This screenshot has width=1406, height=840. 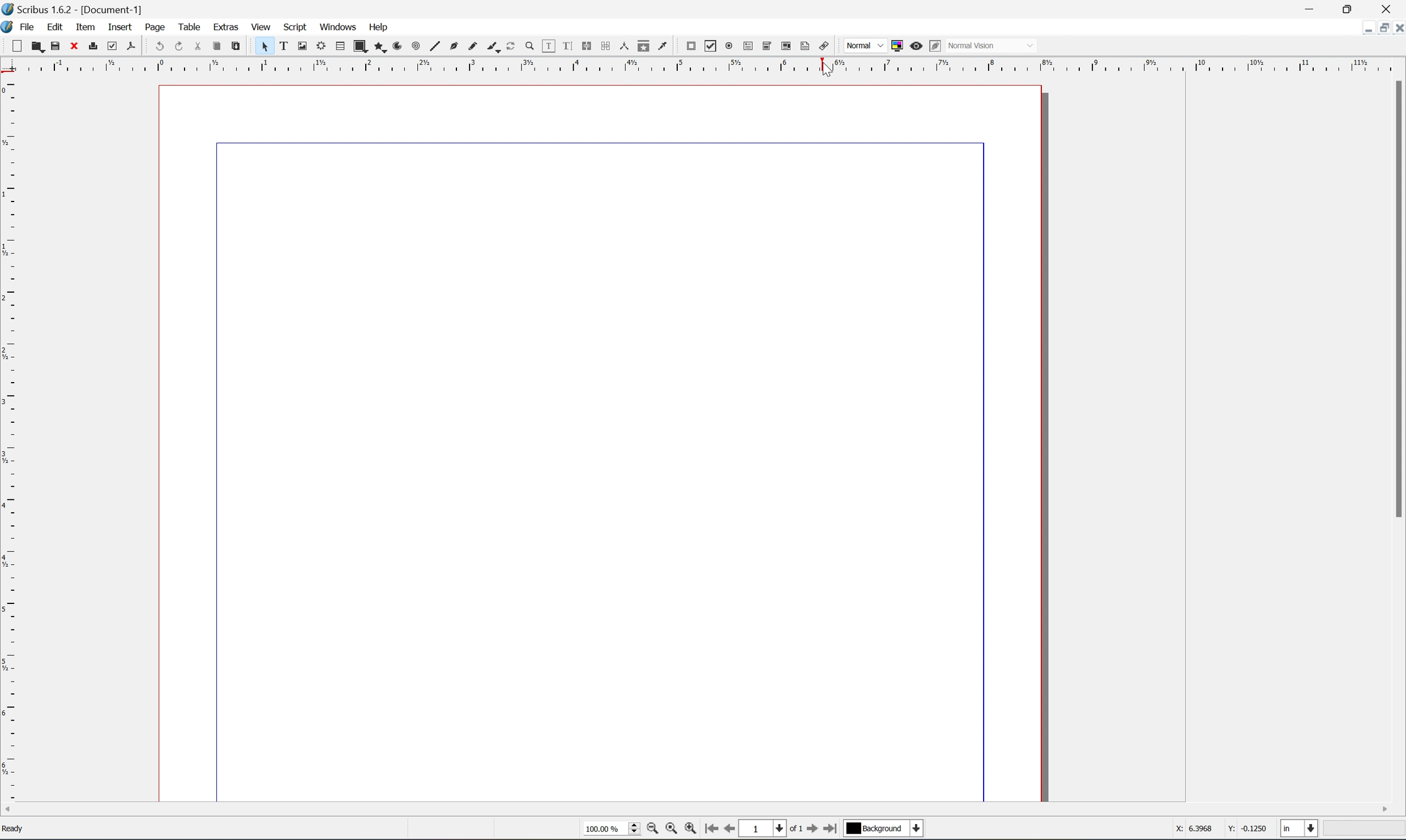 I want to click on edit text with story editor, so click(x=568, y=46).